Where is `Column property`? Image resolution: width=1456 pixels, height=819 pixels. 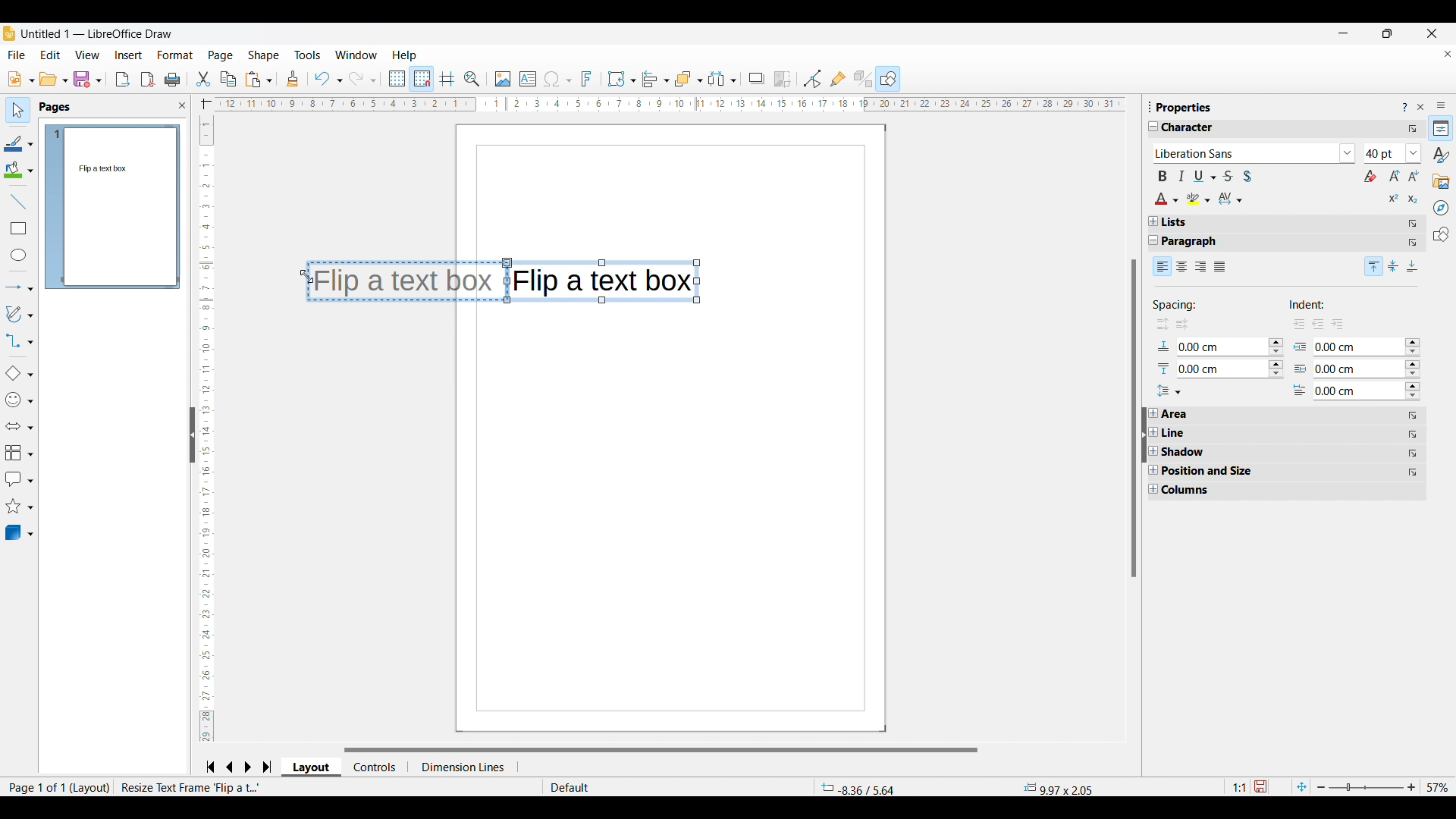
Column property is located at coordinates (1192, 491).